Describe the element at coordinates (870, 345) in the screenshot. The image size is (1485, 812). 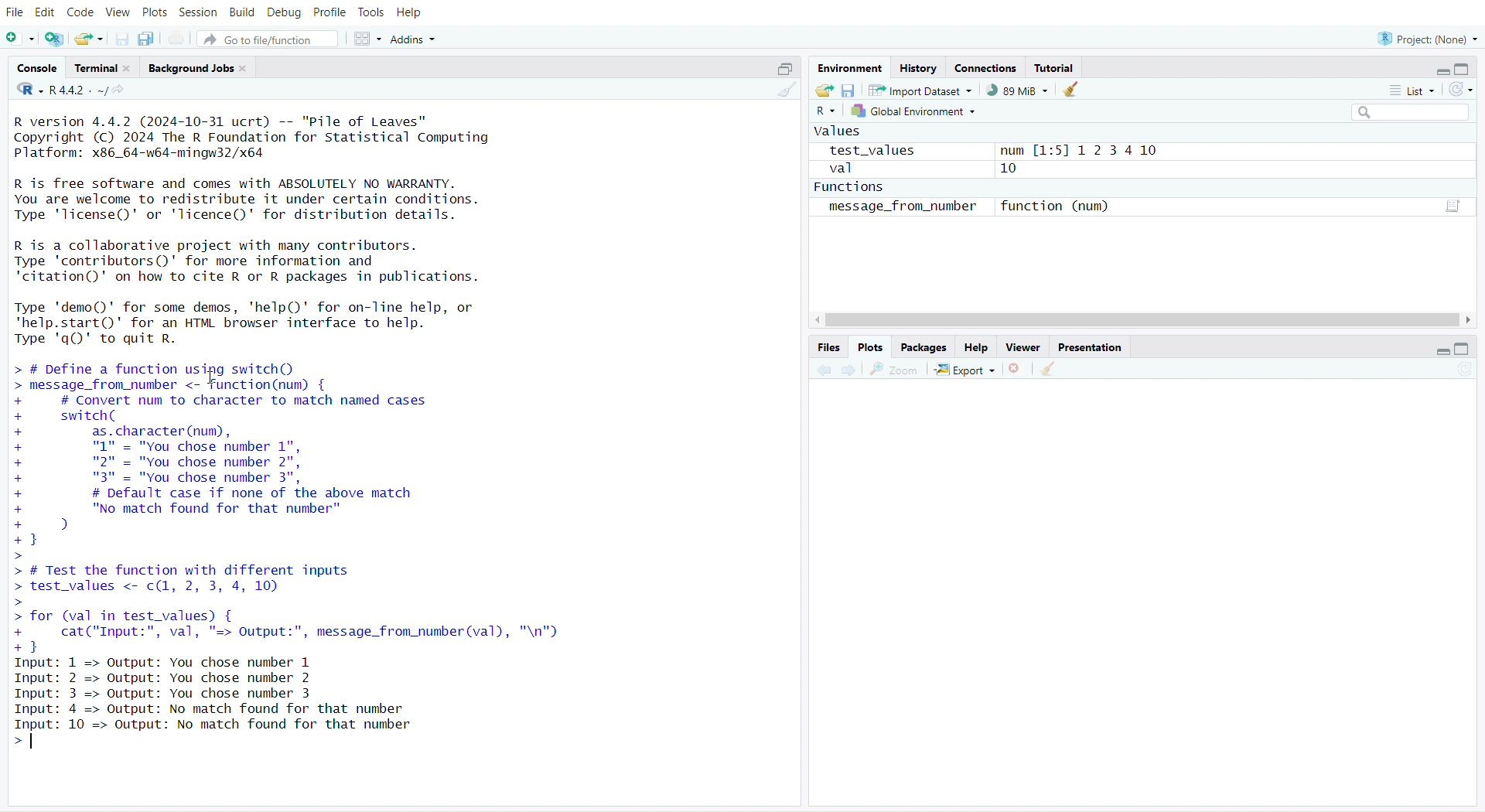
I see `Plots` at that location.